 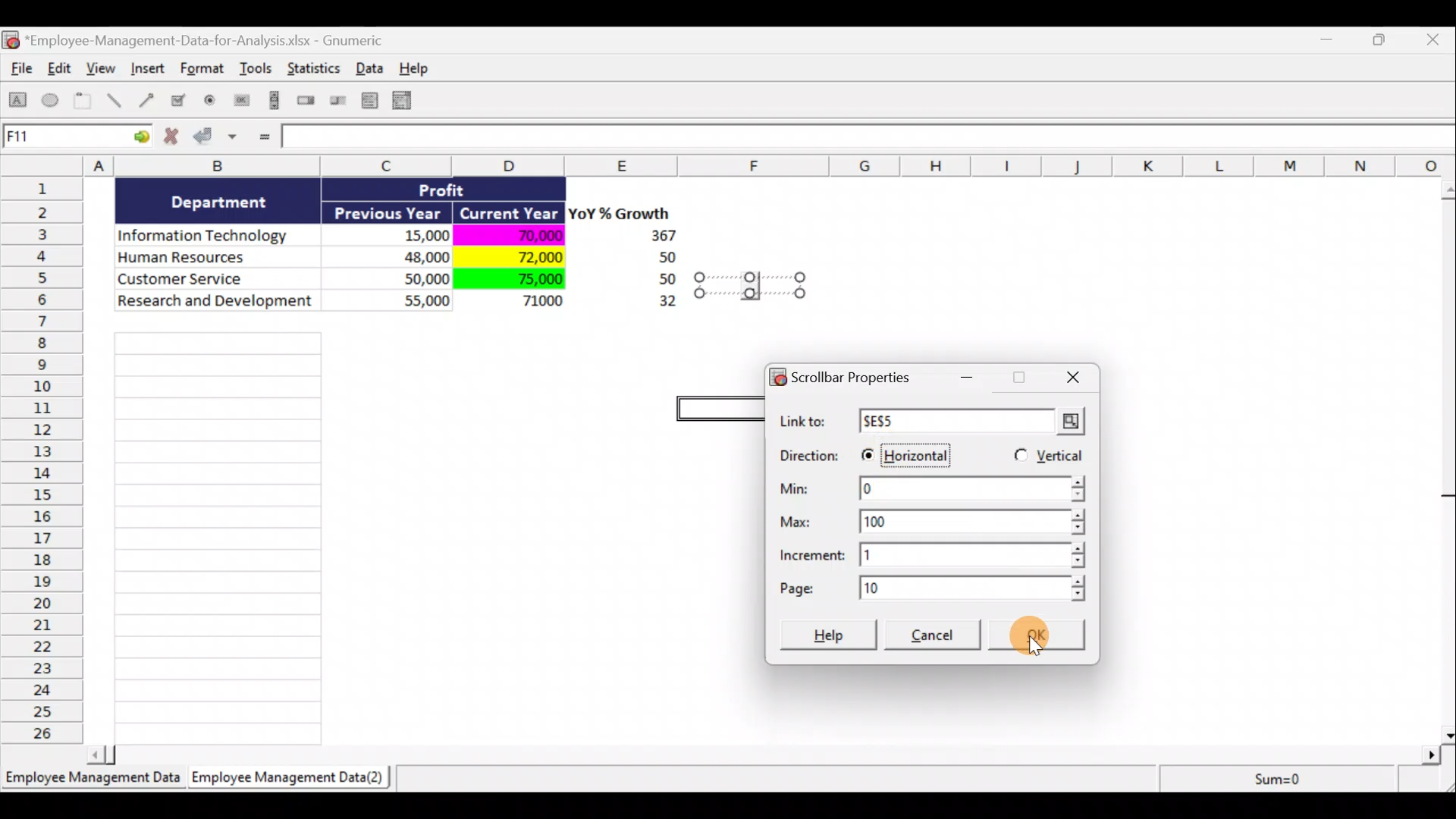 What do you see at coordinates (262, 138) in the screenshot?
I see `Enter formula` at bounding box center [262, 138].